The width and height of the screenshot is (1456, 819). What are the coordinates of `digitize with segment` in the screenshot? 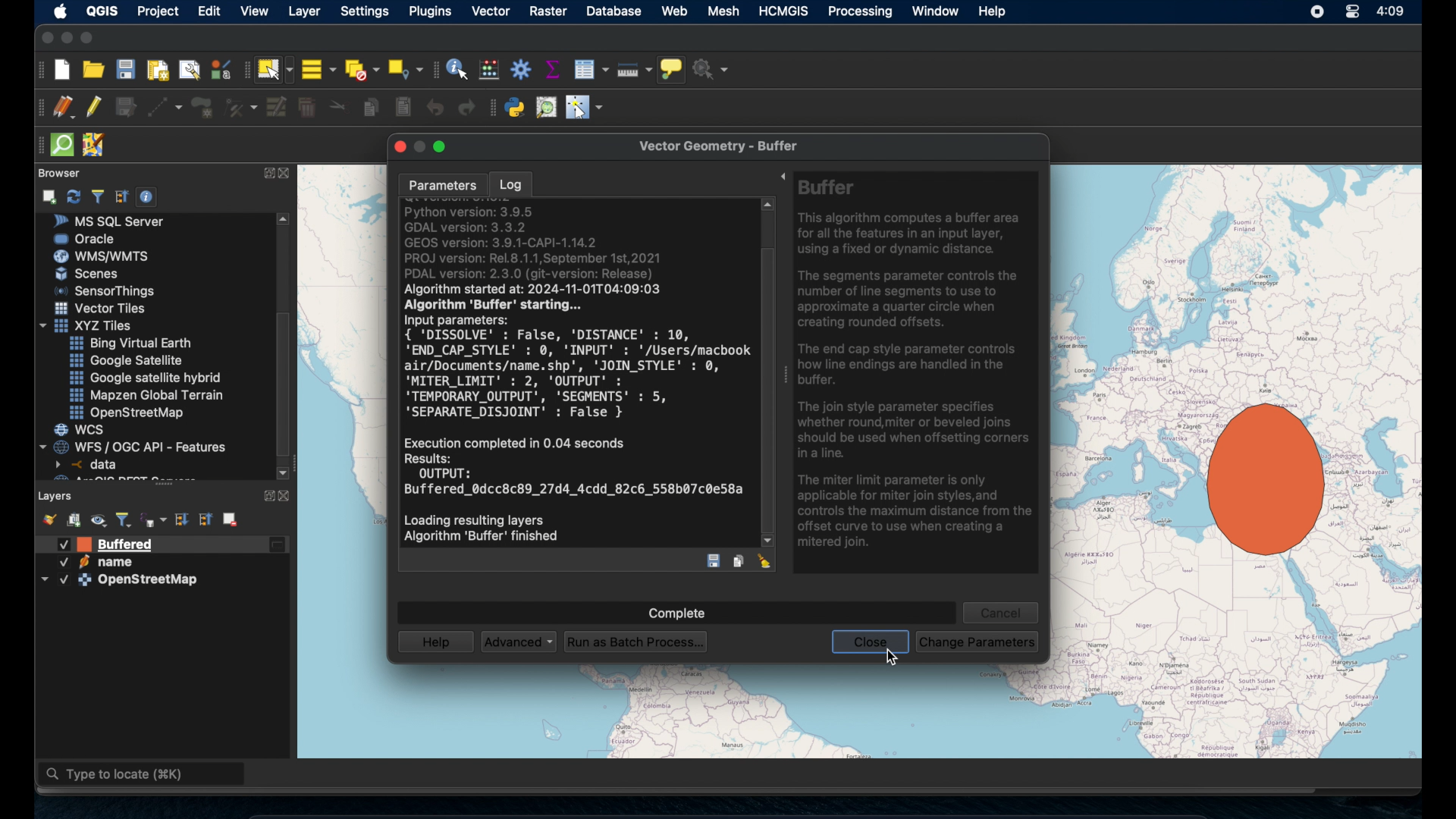 It's located at (165, 108).